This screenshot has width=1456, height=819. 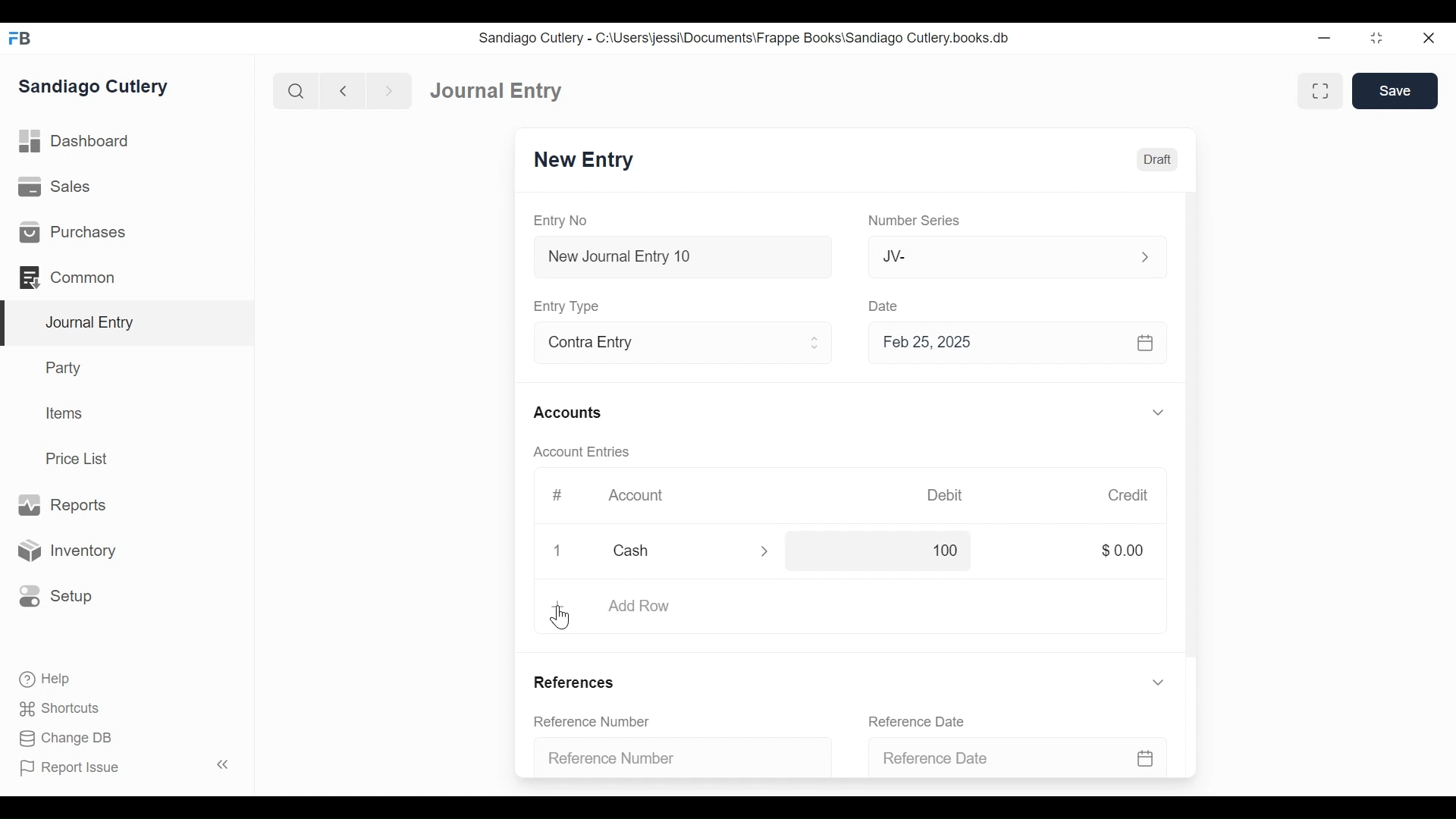 What do you see at coordinates (297, 90) in the screenshot?
I see `Search` at bounding box center [297, 90].